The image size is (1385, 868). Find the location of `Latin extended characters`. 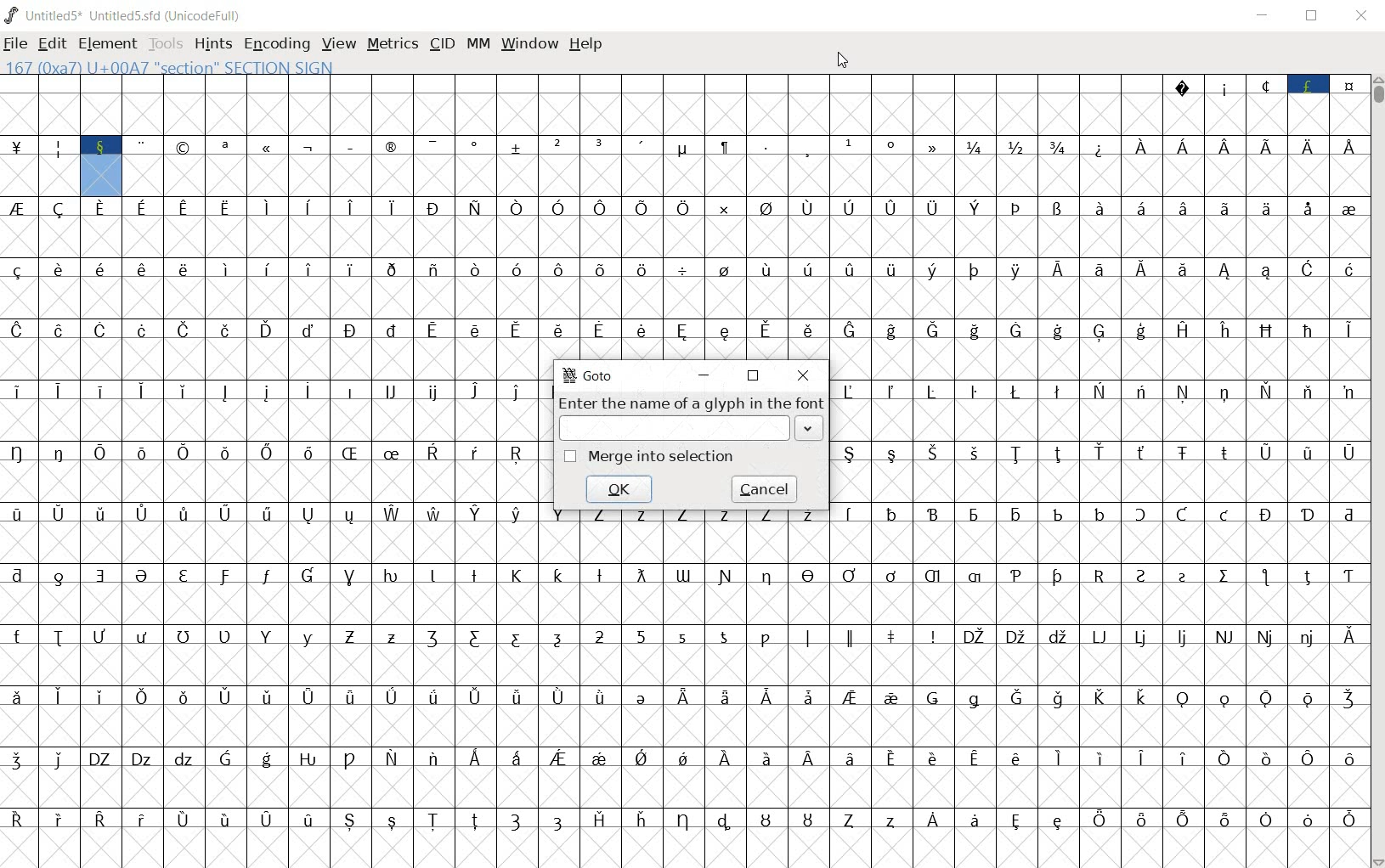

Latin extended characters is located at coordinates (188, 533).